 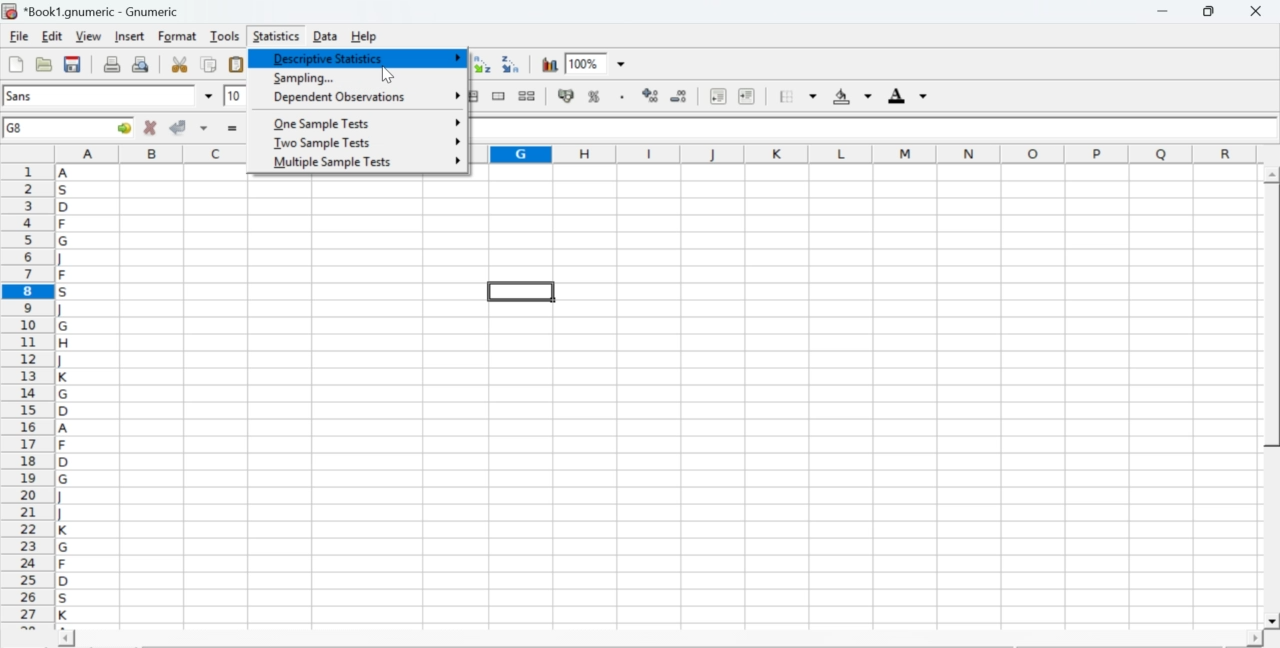 What do you see at coordinates (141, 63) in the screenshot?
I see `print preview` at bounding box center [141, 63].